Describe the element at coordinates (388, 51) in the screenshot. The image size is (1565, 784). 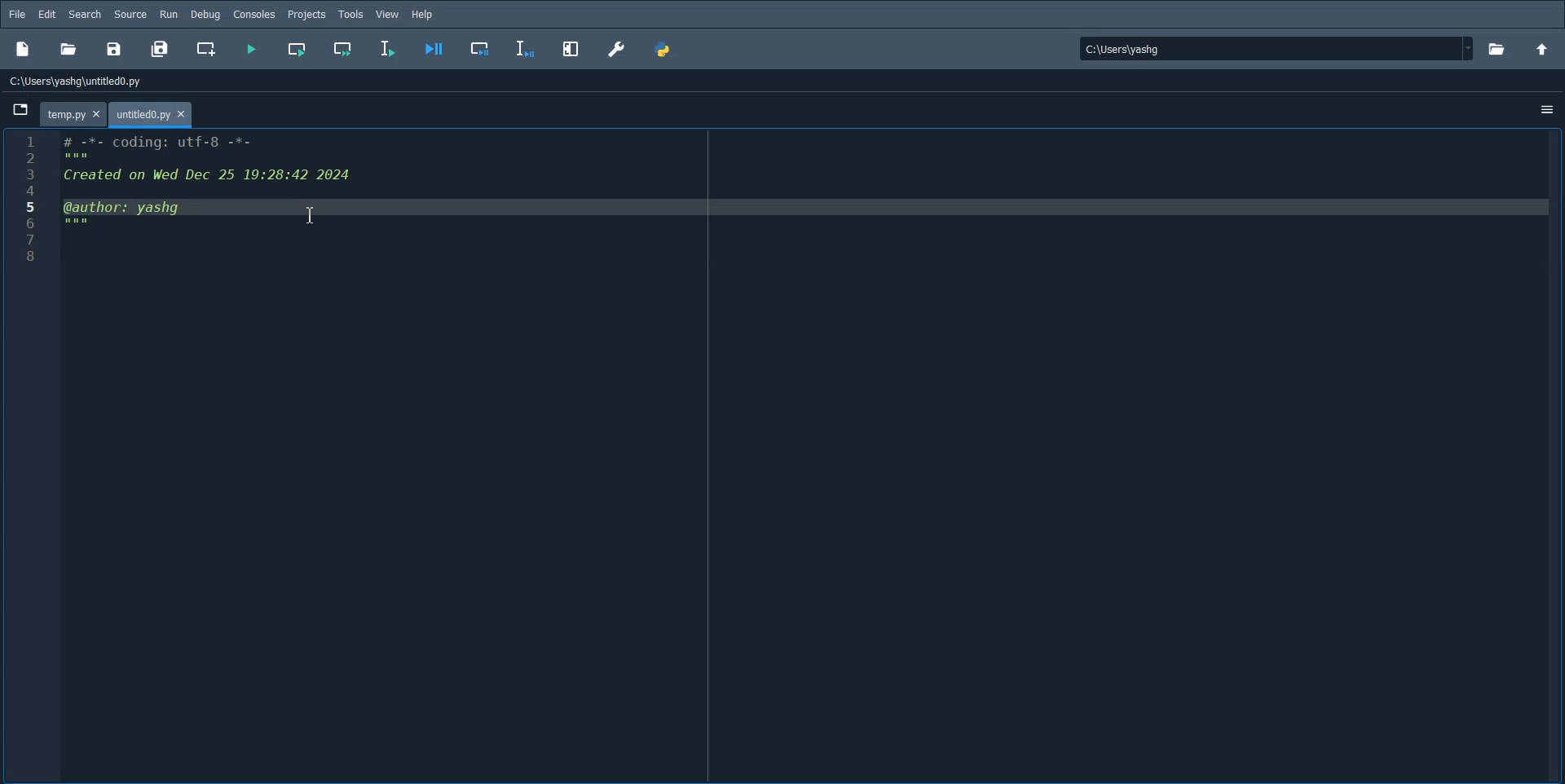
I see `Run selection` at that location.